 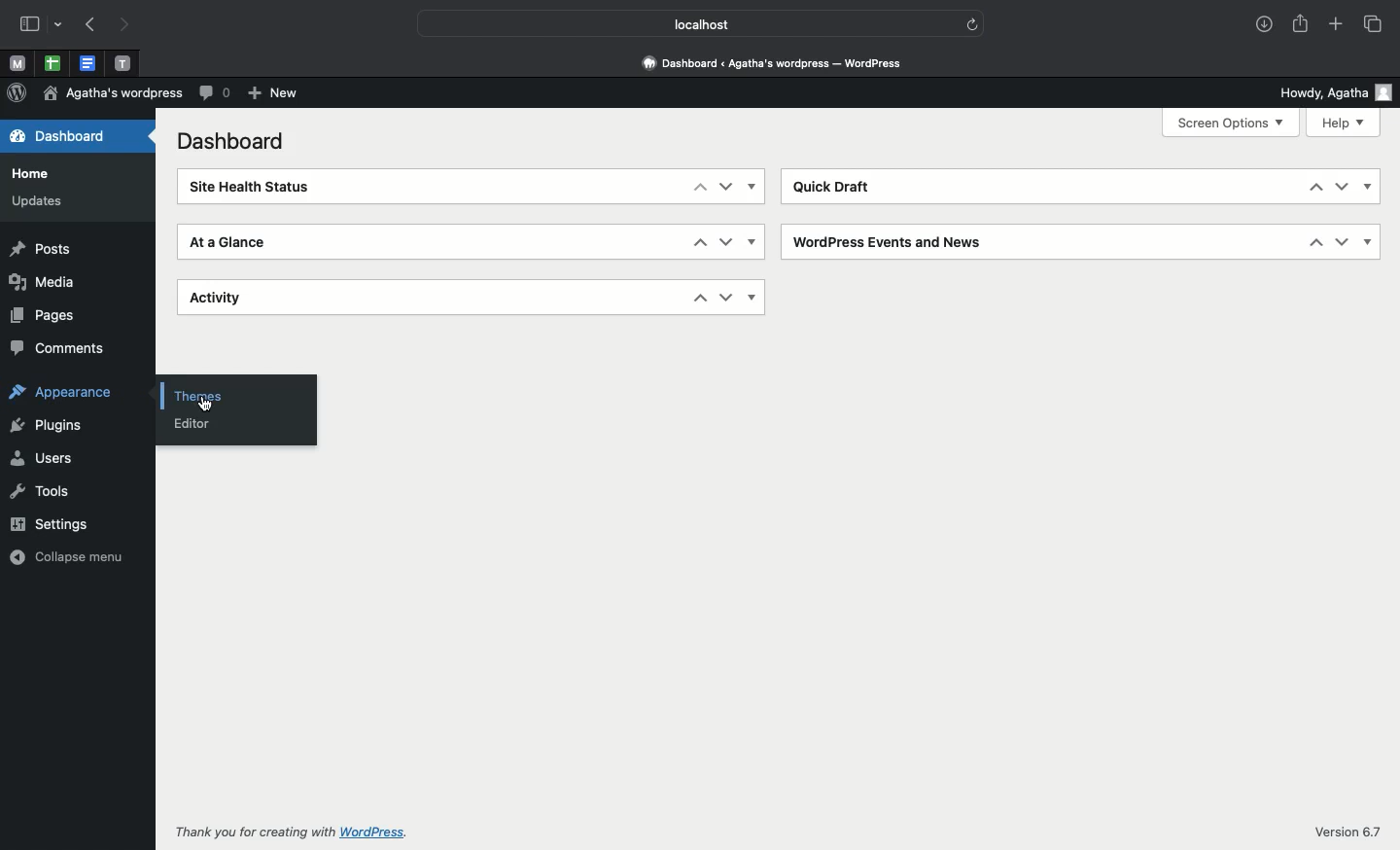 What do you see at coordinates (72, 394) in the screenshot?
I see `Appearance` at bounding box center [72, 394].